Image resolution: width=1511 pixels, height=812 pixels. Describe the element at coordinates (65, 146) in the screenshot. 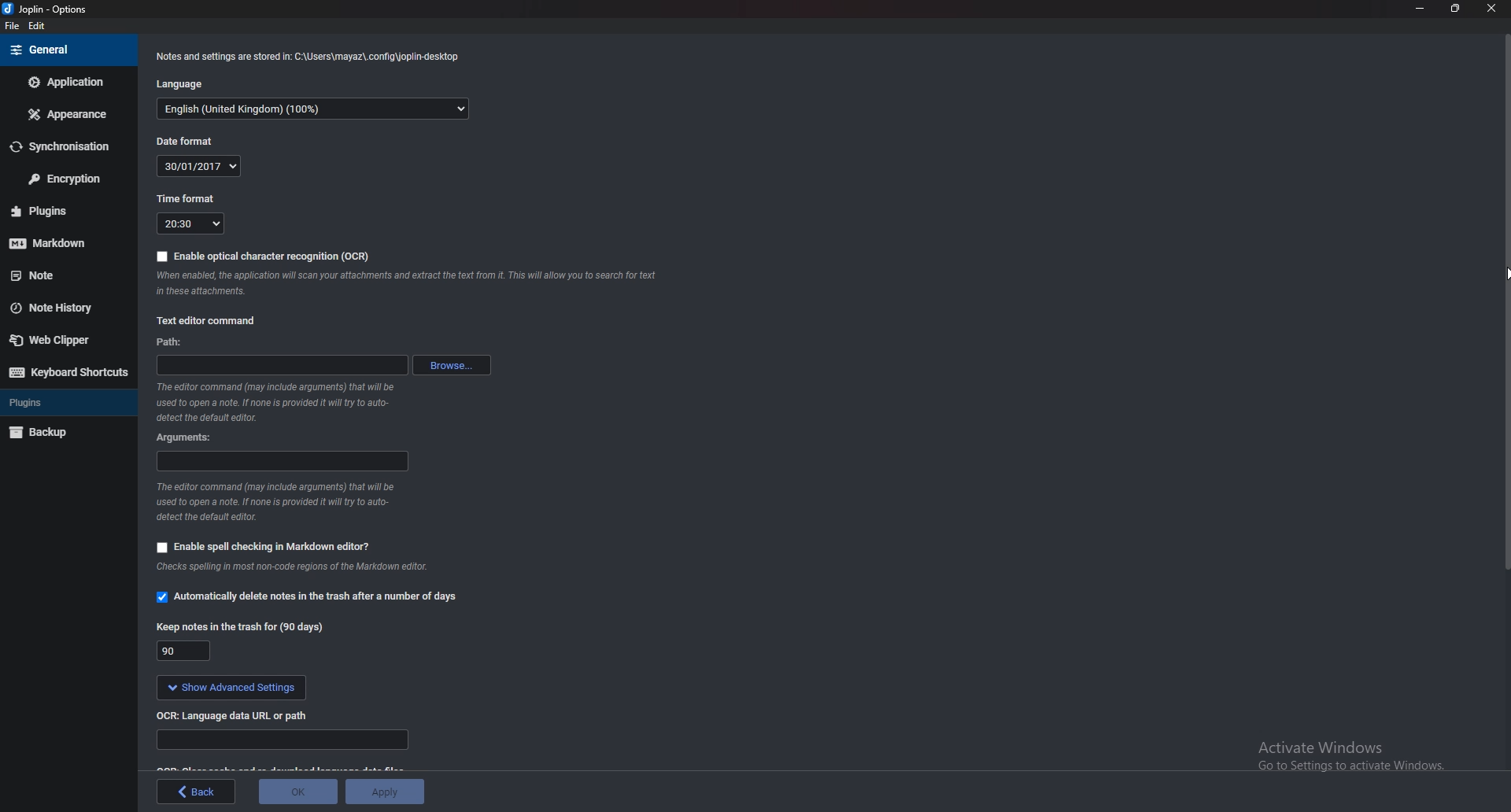

I see `Synchronization` at that location.